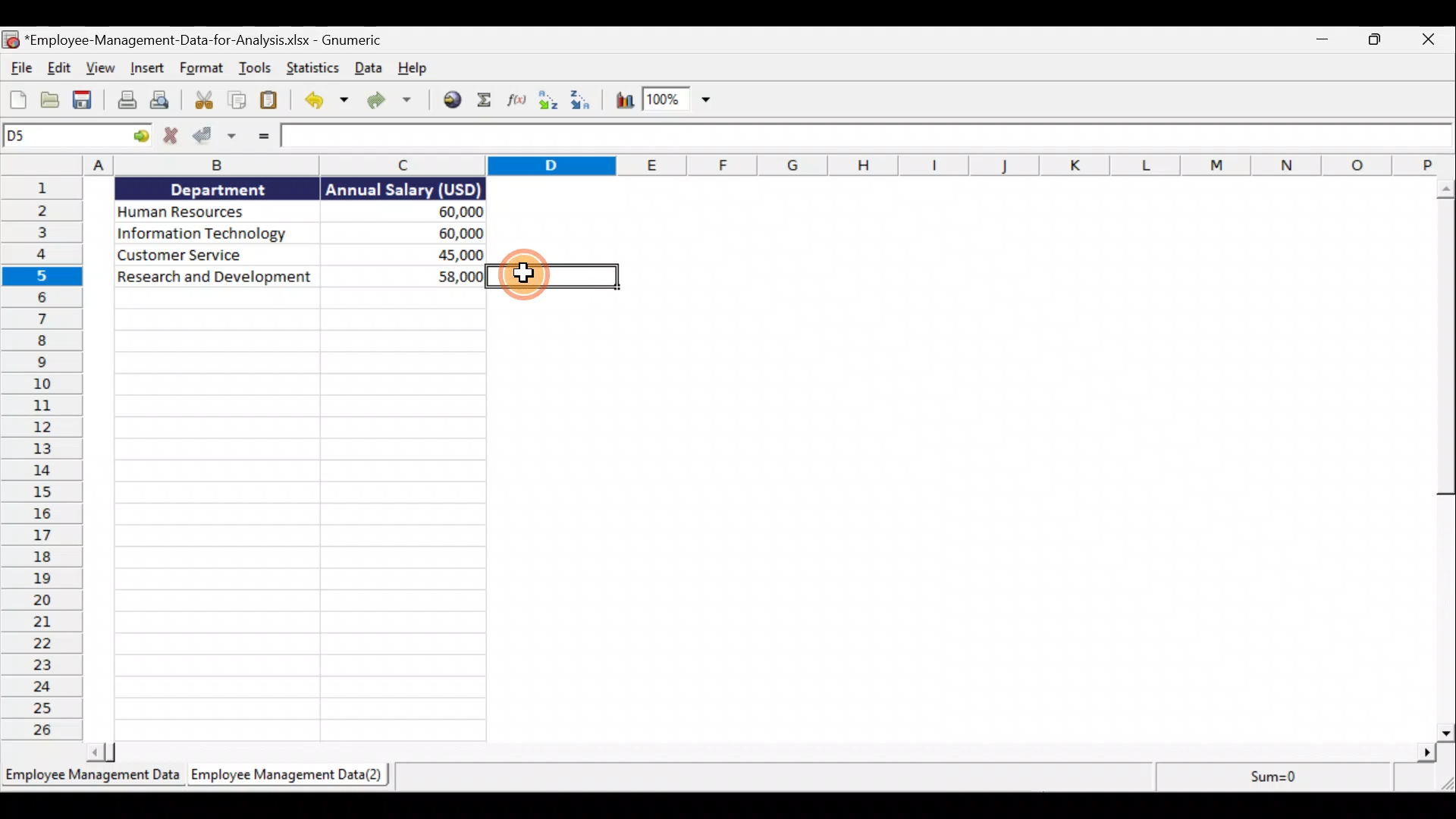  I want to click on Open a file, so click(52, 99).